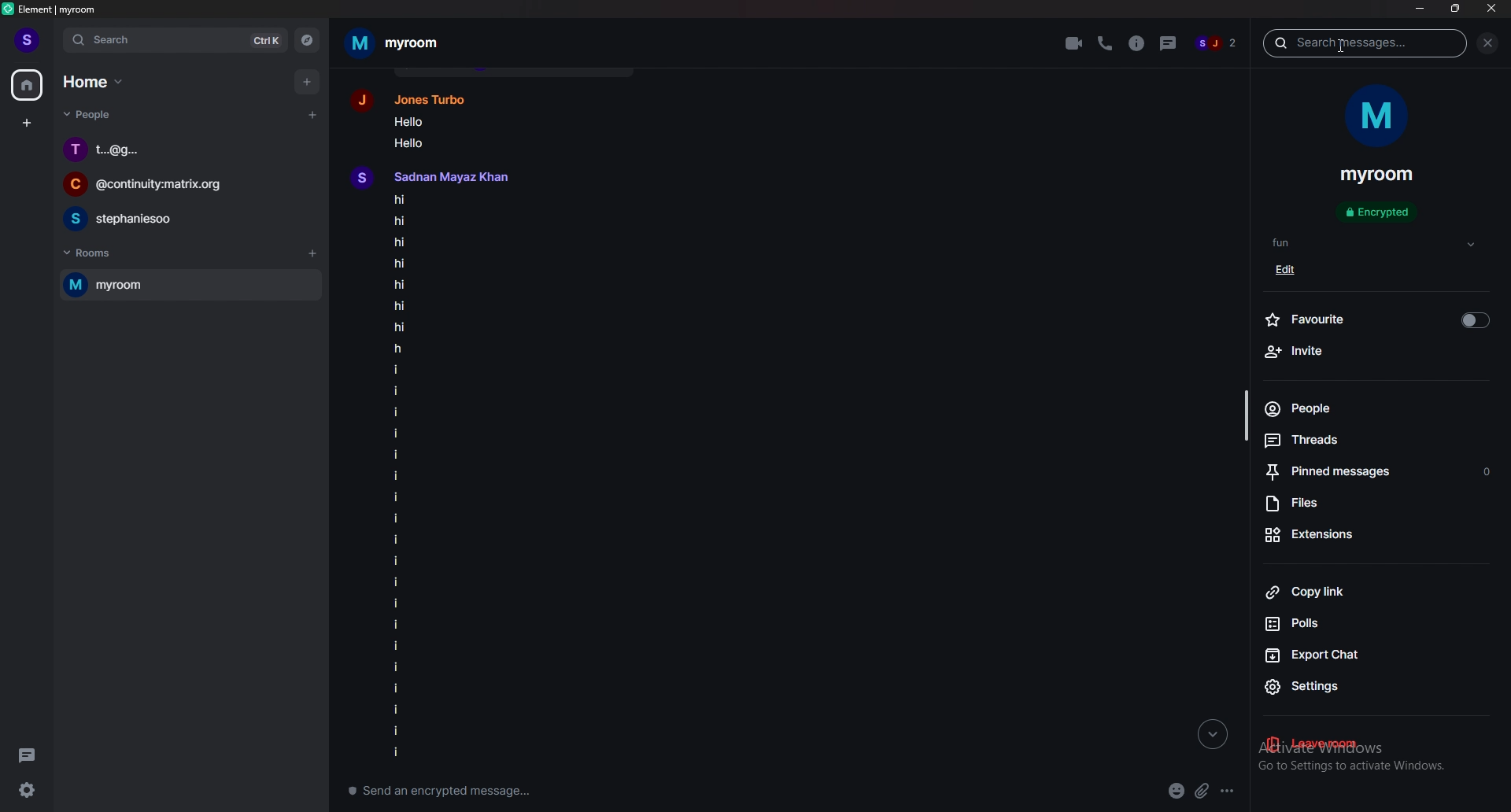  I want to click on extensions, so click(1356, 533).